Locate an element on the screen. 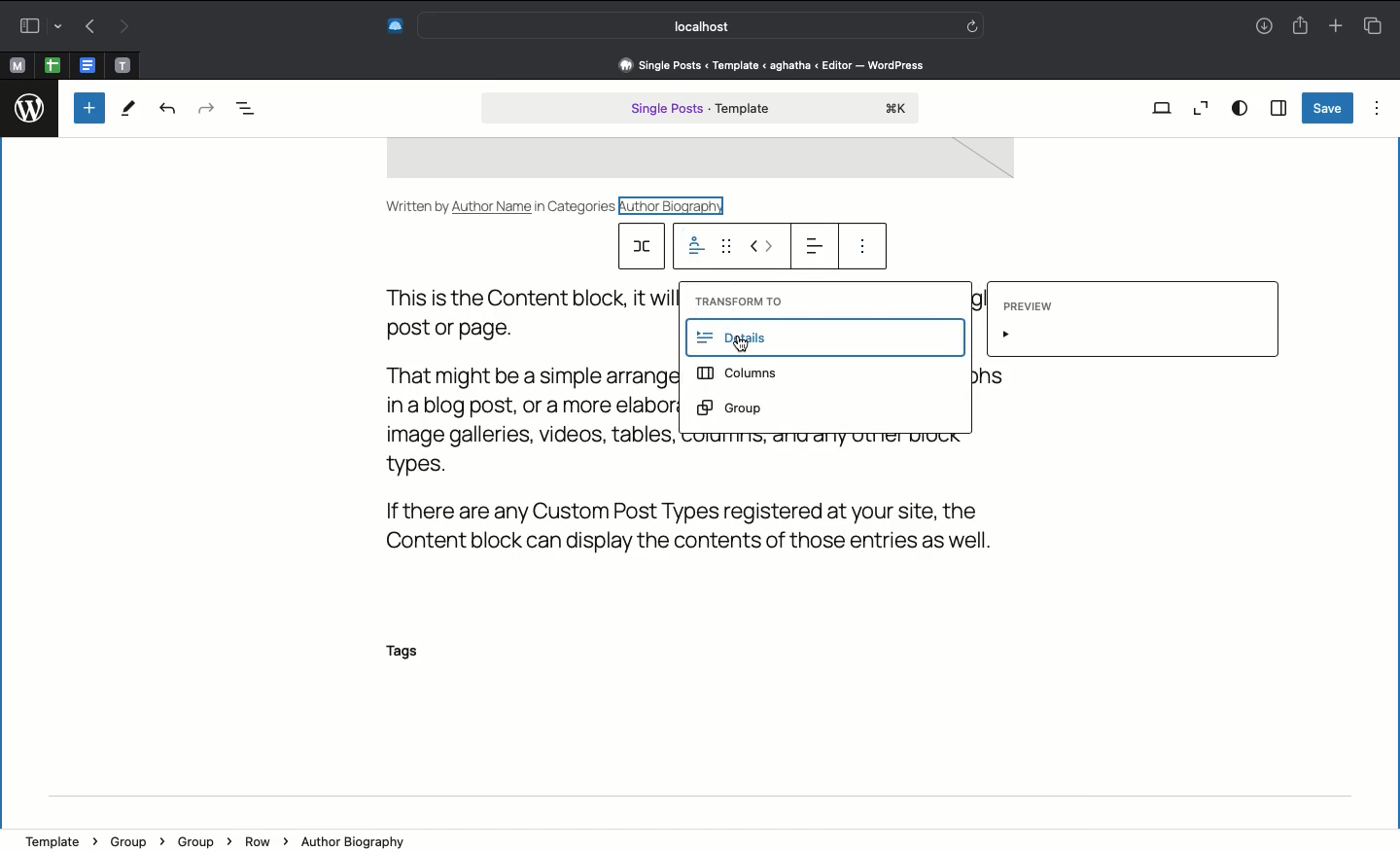  Save is located at coordinates (1326, 108).